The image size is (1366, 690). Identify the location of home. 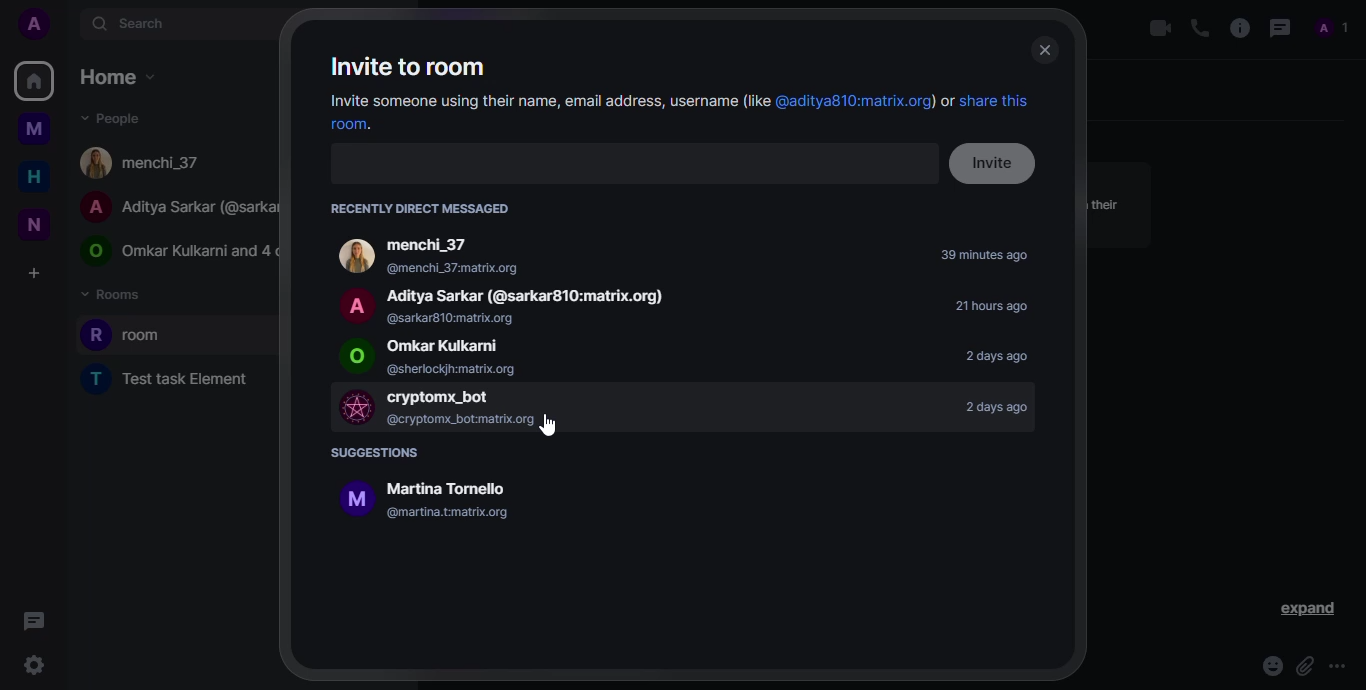
(119, 76).